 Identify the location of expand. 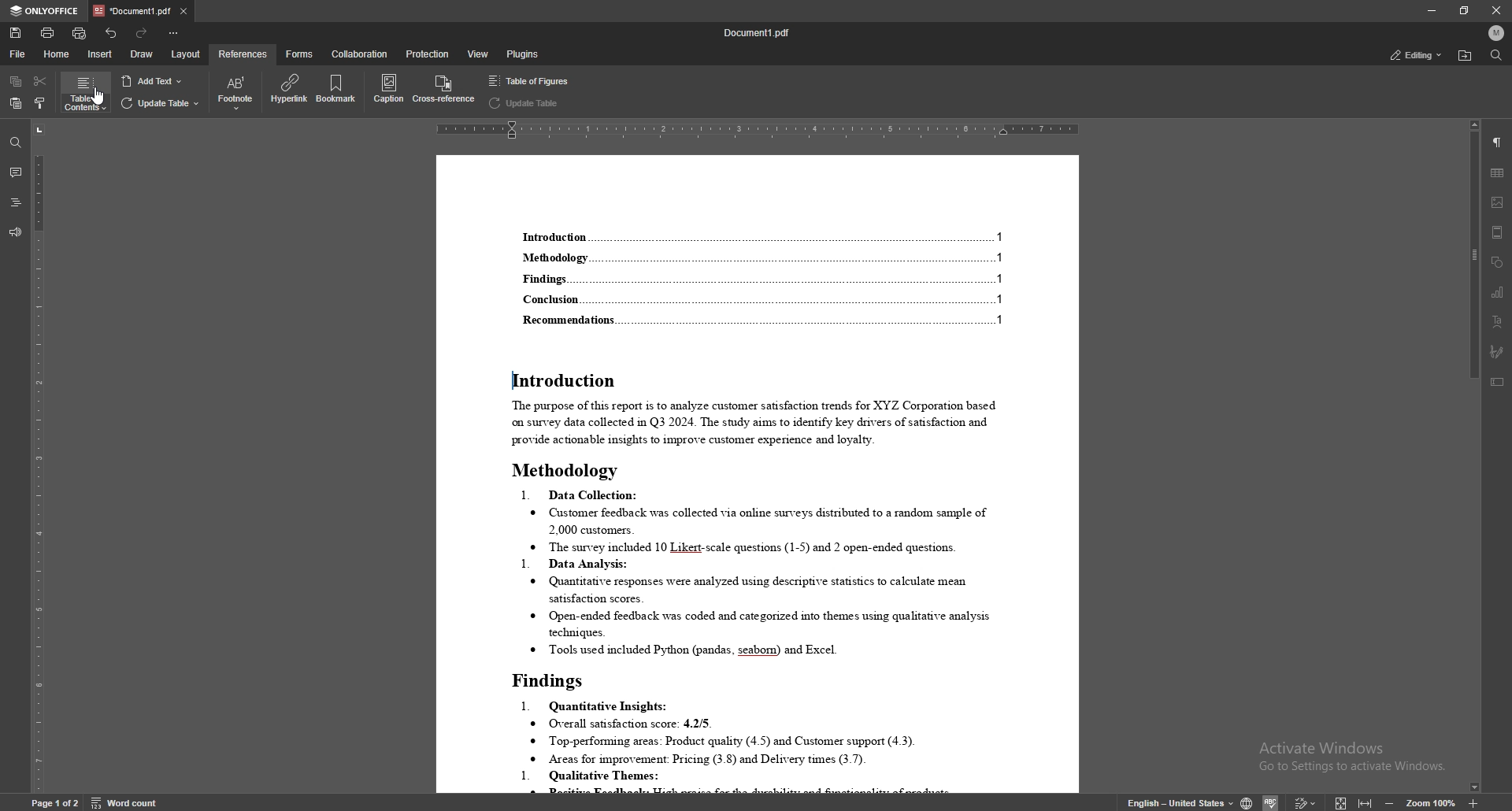
(1357, 802).